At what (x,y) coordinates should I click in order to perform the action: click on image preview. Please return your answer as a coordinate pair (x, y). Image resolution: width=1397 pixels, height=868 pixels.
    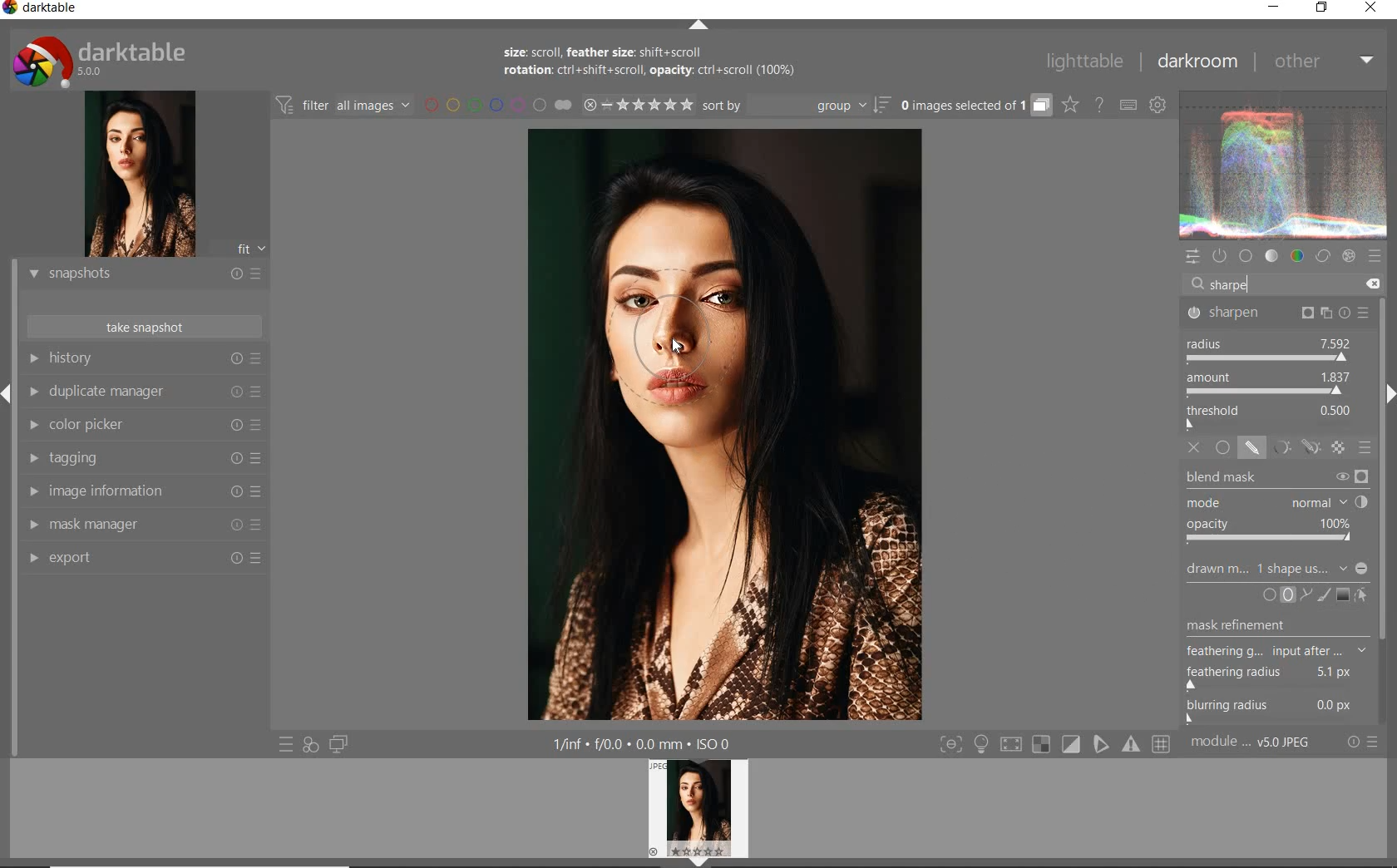
    Looking at the image, I should click on (134, 174).